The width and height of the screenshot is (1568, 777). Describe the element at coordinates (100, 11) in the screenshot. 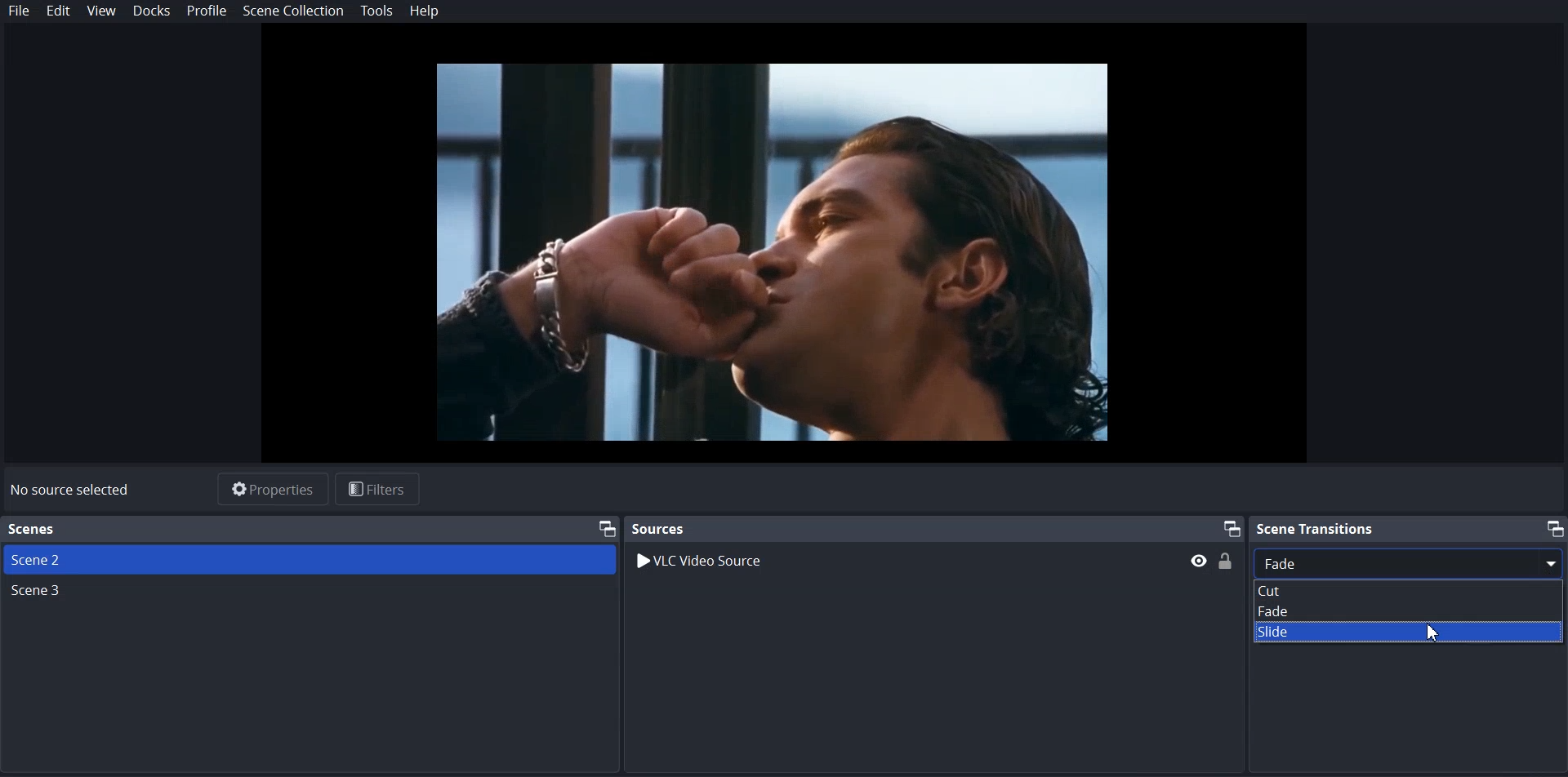

I see `View` at that location.